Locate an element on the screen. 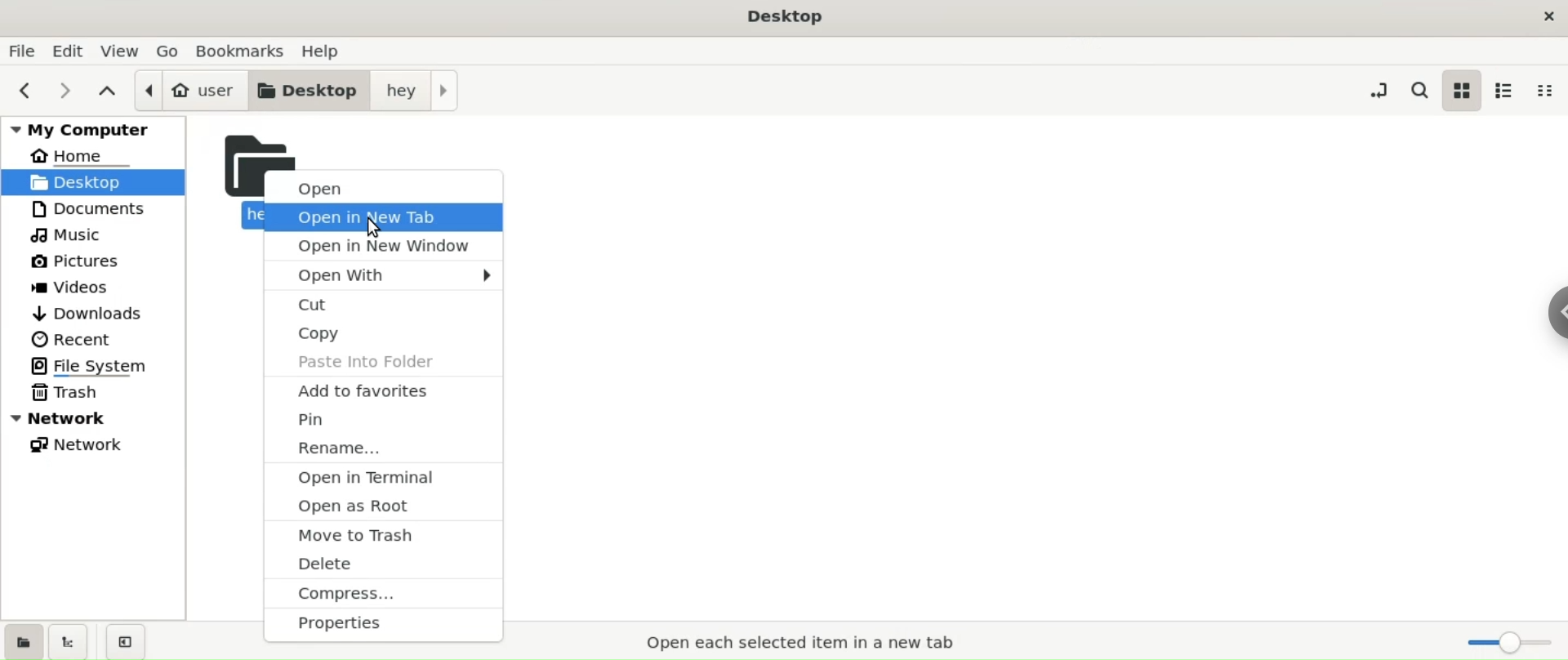 The height and width of the screenshot is (660, 1568). downloads is located at coordinates (96, 313).